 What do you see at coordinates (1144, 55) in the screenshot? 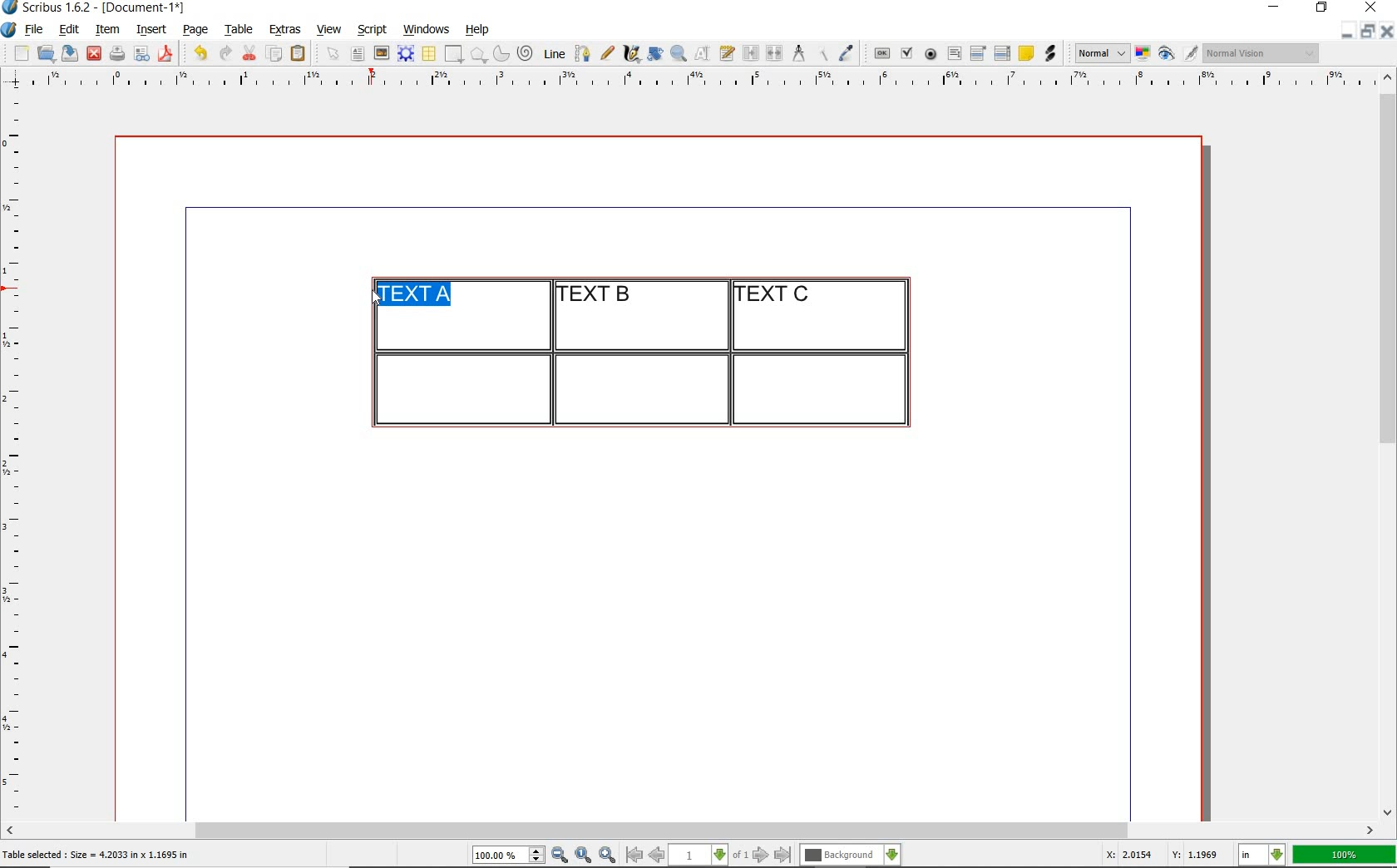
I see `toggle color management` at bounding box center [1144, 55].